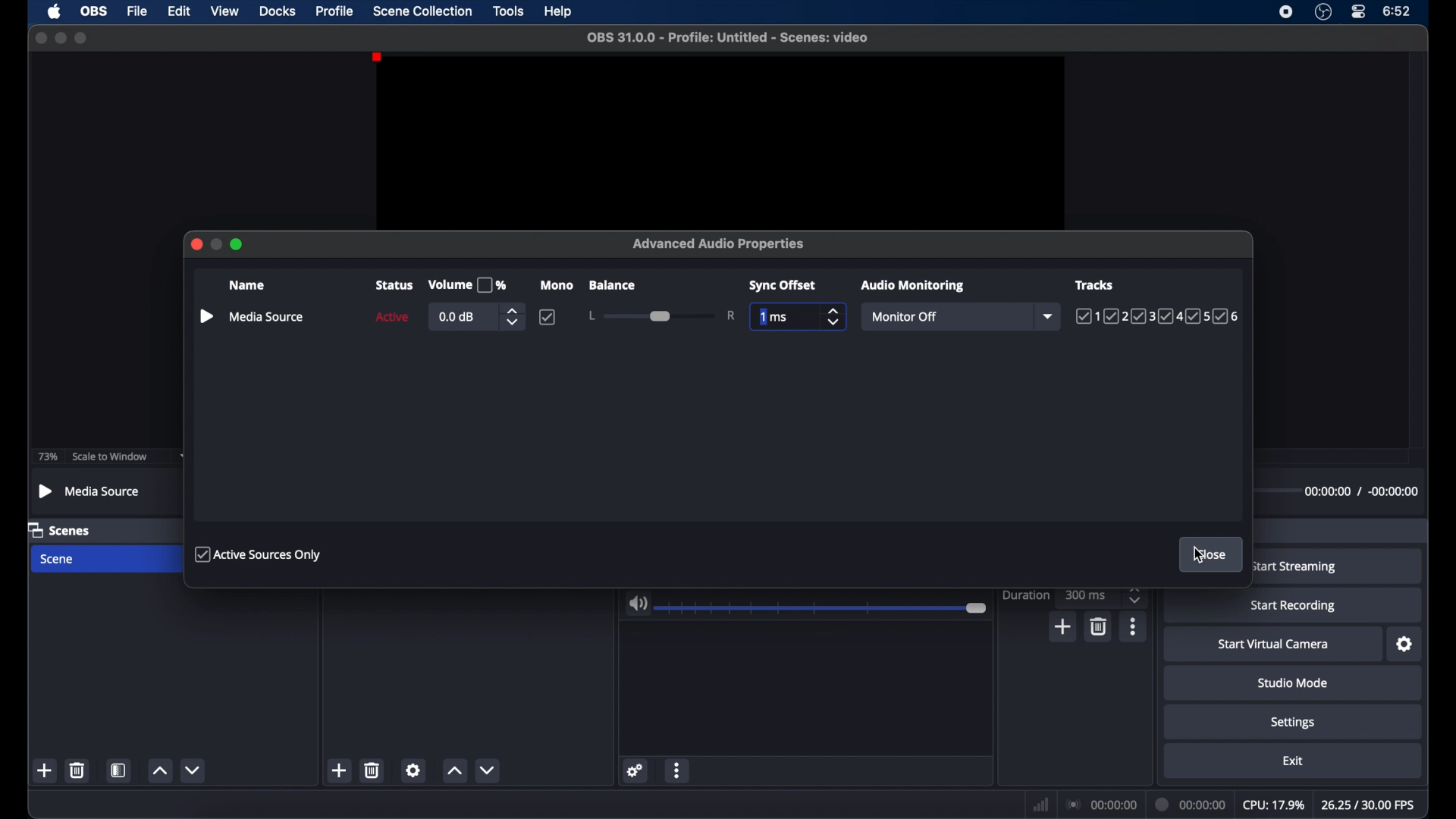 The width and height of the screenshot is (1456, 819). What do you see at coordinates (40, 37) in the screenshot?
I see `close` at bounding box center [40, 37].